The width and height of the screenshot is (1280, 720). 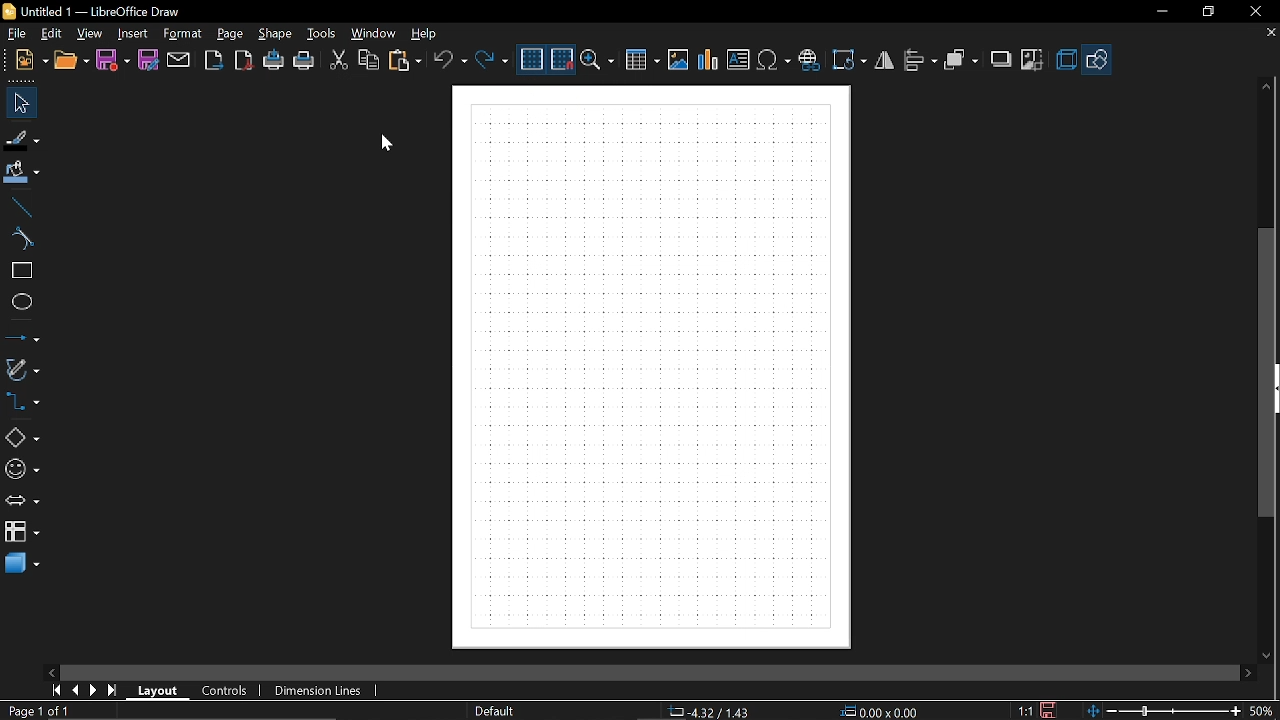 What do you see at coordinates (35, 711) in the screenshot?
I see `current page` at bounding box center [35, 711].